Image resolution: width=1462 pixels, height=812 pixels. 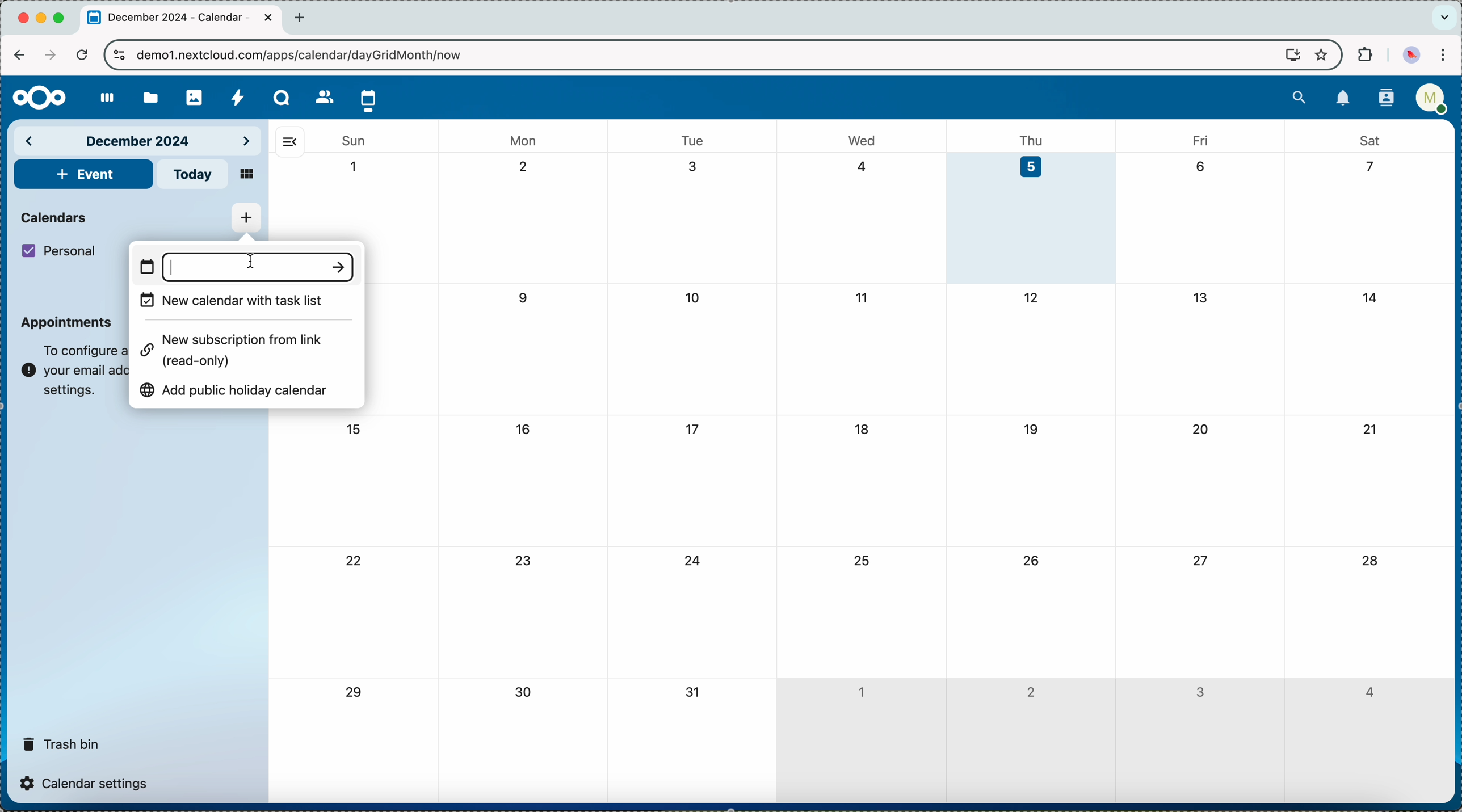 I want to click on maximize, so click(x=61, y=18).